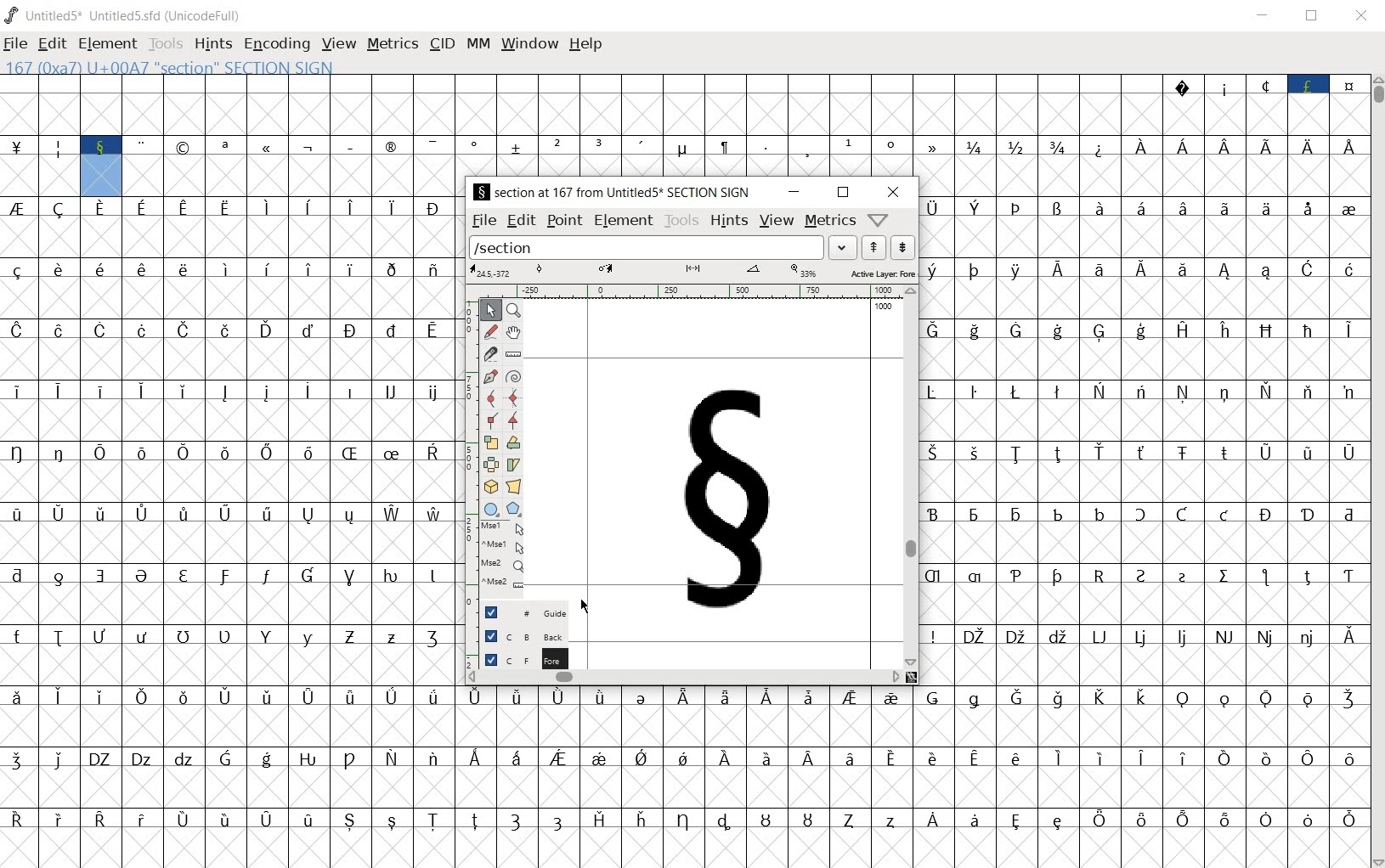 This screenshot has height=868, width=1385. I want to click on empty cells, so click(1142, 544).